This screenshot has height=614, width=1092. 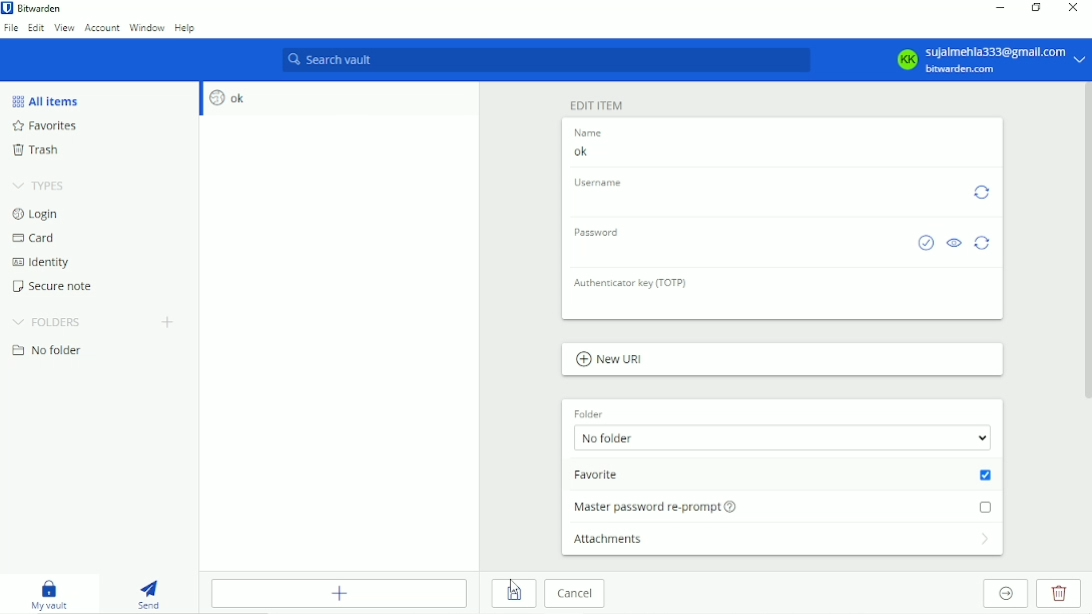 I want to click on ok, so click(x=231, y=97).